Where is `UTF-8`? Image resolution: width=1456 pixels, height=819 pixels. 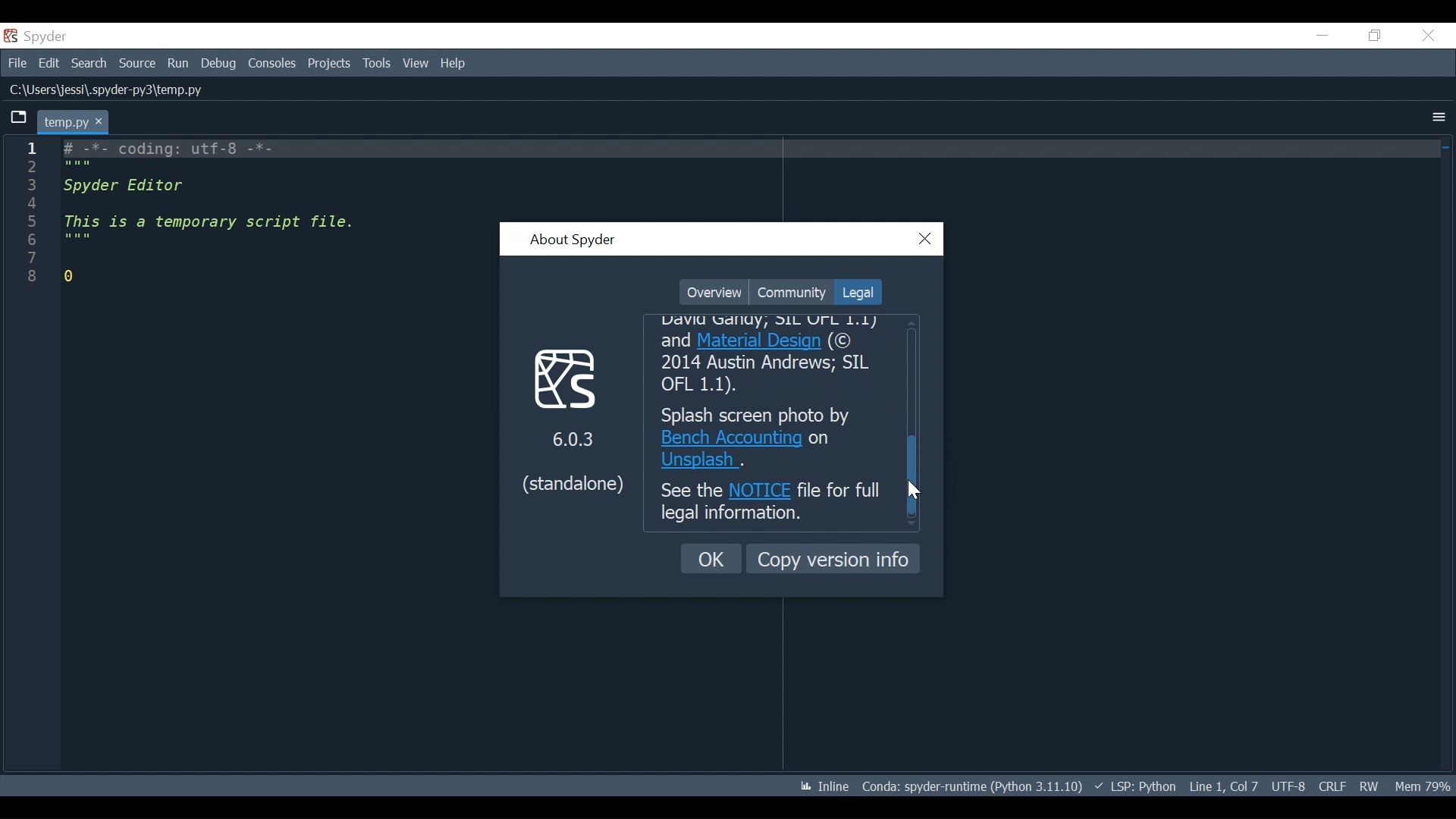
UTF-8 is located at coordinates (1291, 785).